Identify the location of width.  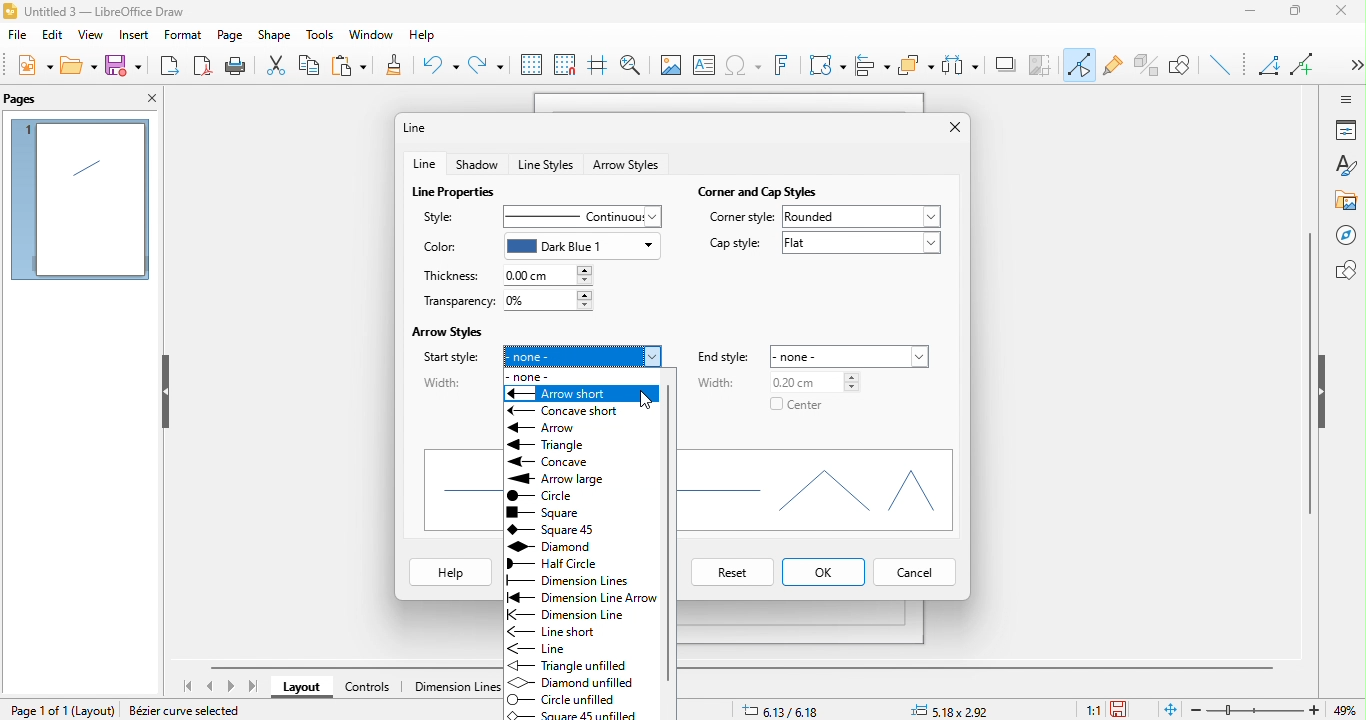
(717, 386).